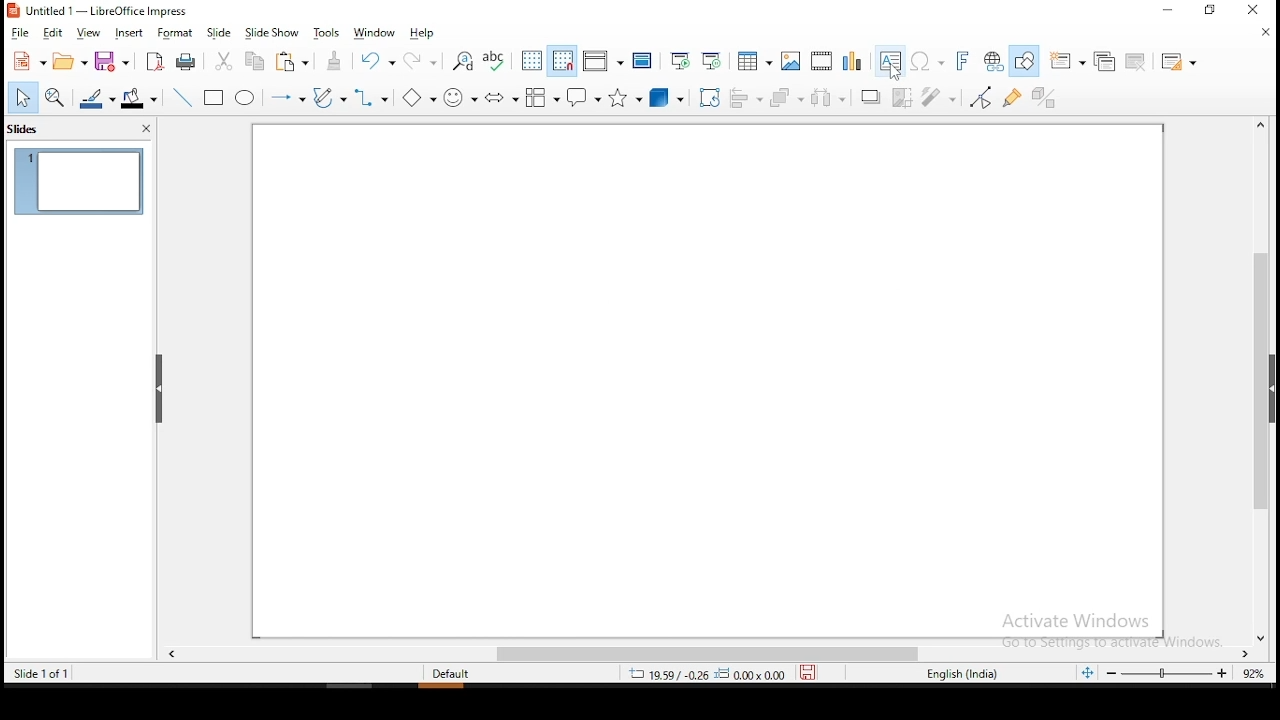 The image size is (1280, 720). I want to click on mouse pointer, so click(895, 74).